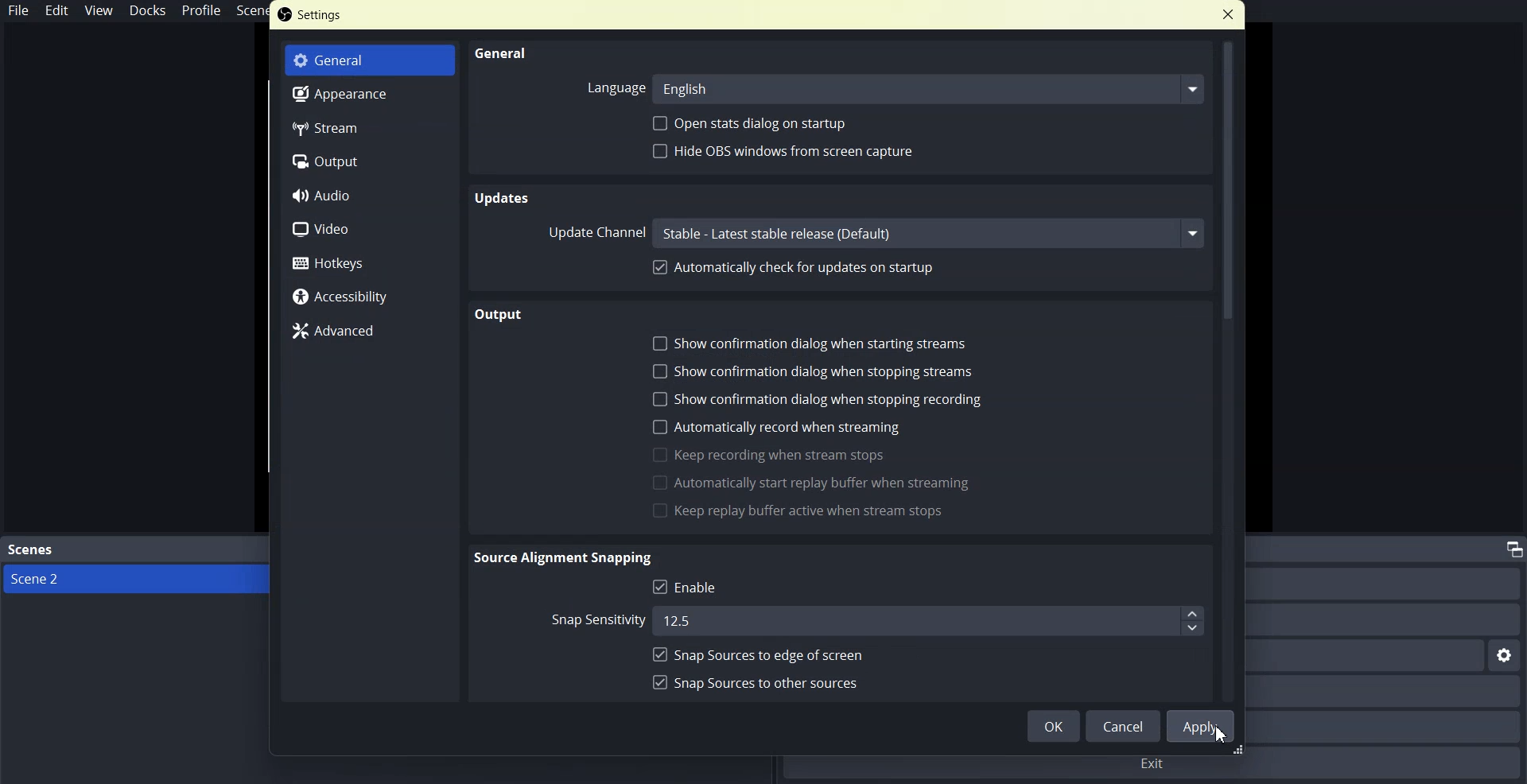 Image resolution: width=1527 pixels, height=784 pixels. I want to click on 12.5, so click(926, 619).